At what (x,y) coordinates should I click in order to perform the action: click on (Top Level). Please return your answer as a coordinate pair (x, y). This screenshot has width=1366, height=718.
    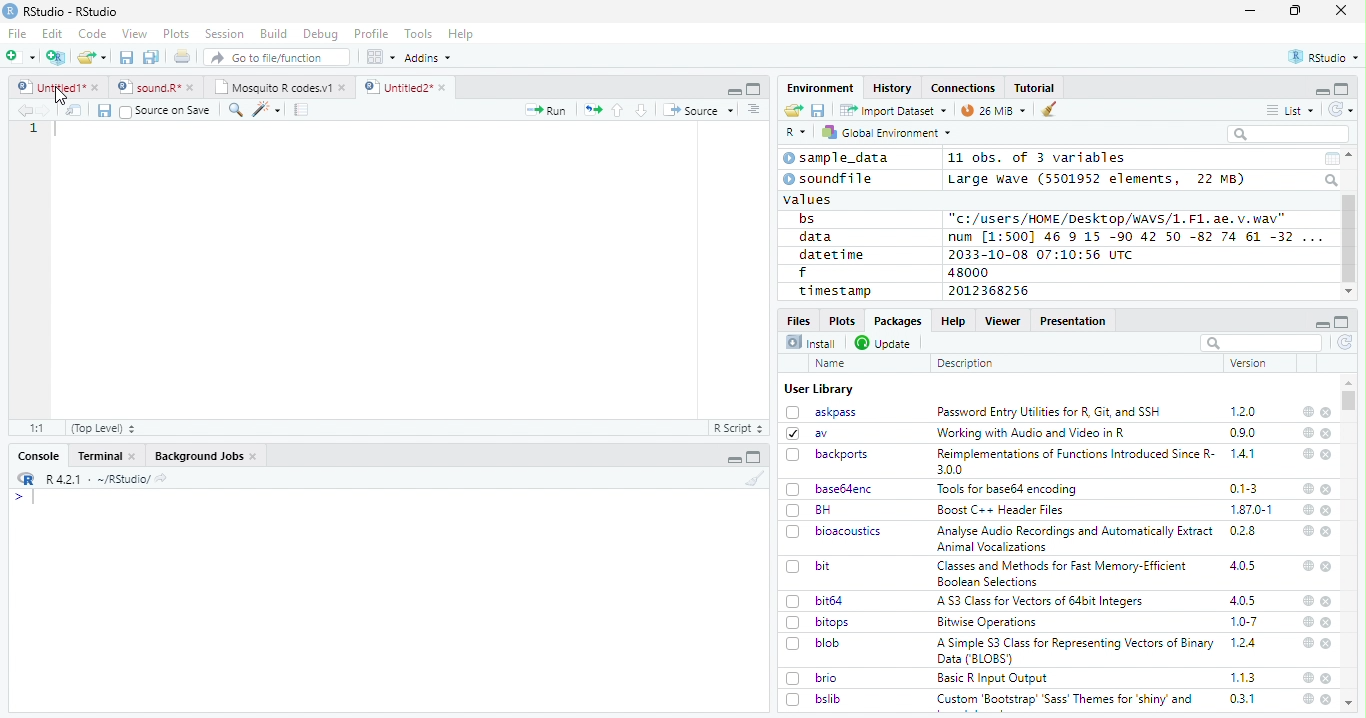
    Looking at the image, I should click on (102, 428).